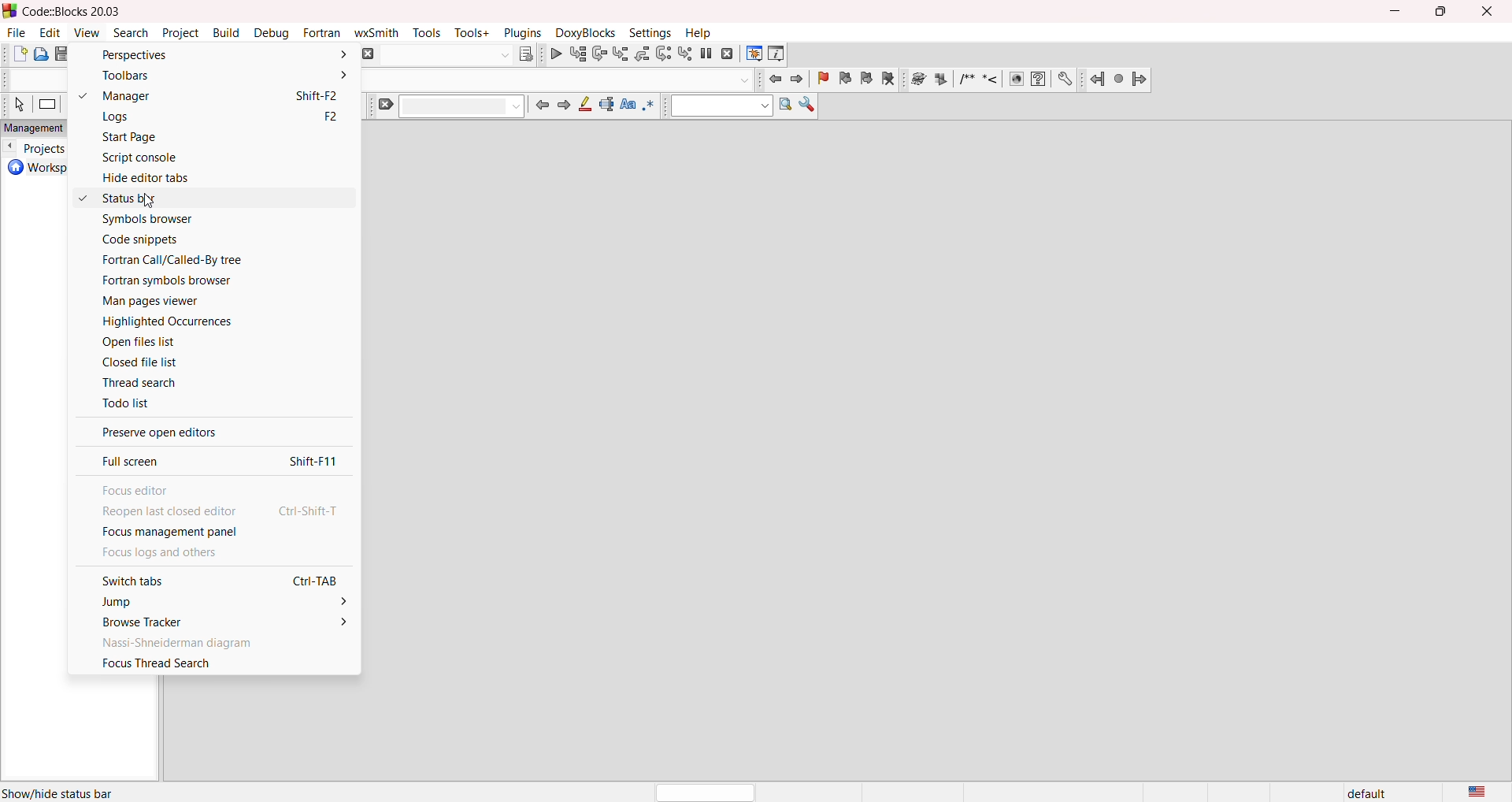 The width and height of the screenshot is (1512, 802). What do you see at coordinates (89, 35) in the screenshot?
I see `view` at bounding box center [89, 35].